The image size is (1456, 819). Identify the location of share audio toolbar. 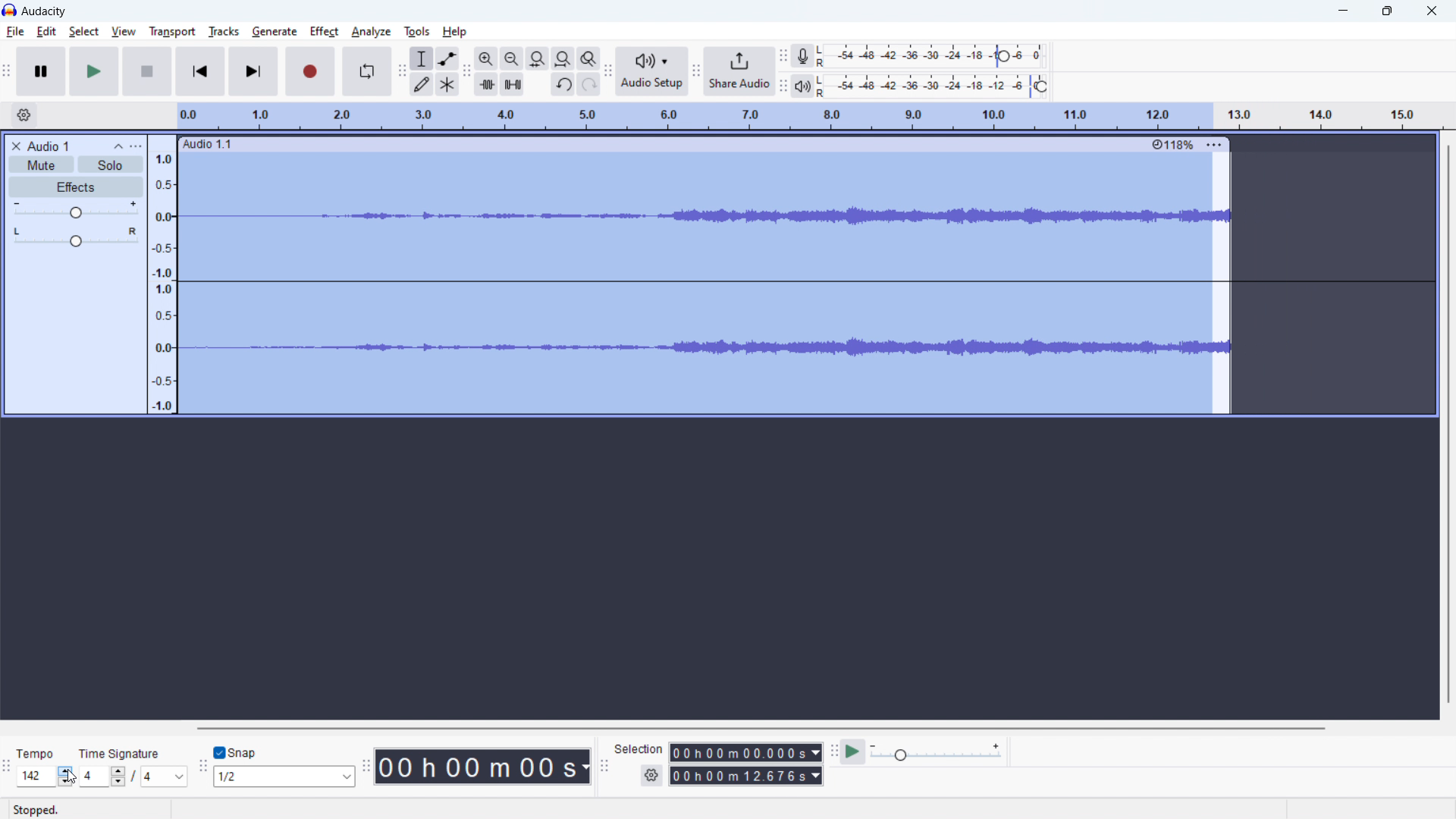
(696, 71).